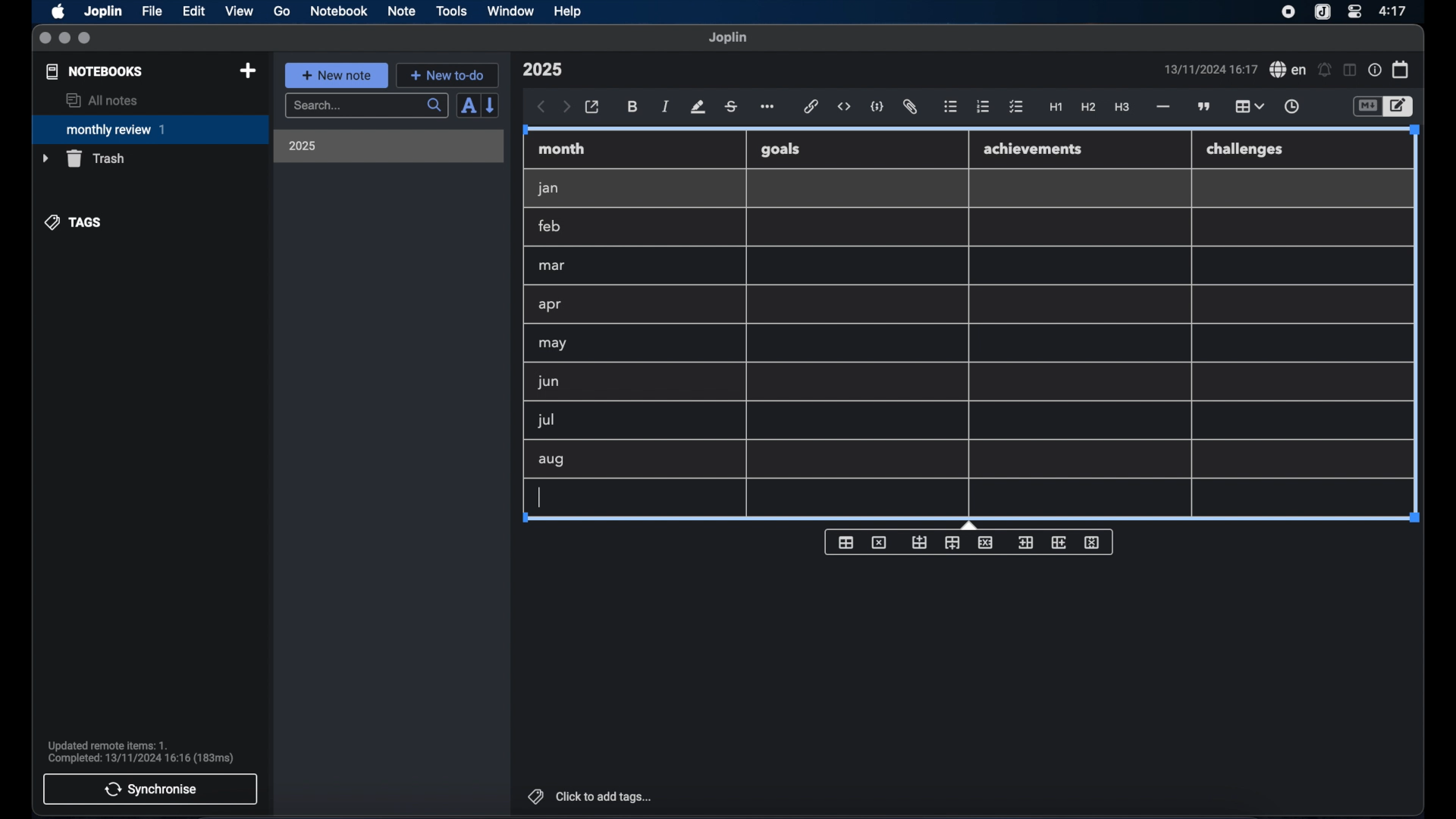 The width and height of the screenshot is (1456, 819). I want to click on challenges, so click(1246, 150).